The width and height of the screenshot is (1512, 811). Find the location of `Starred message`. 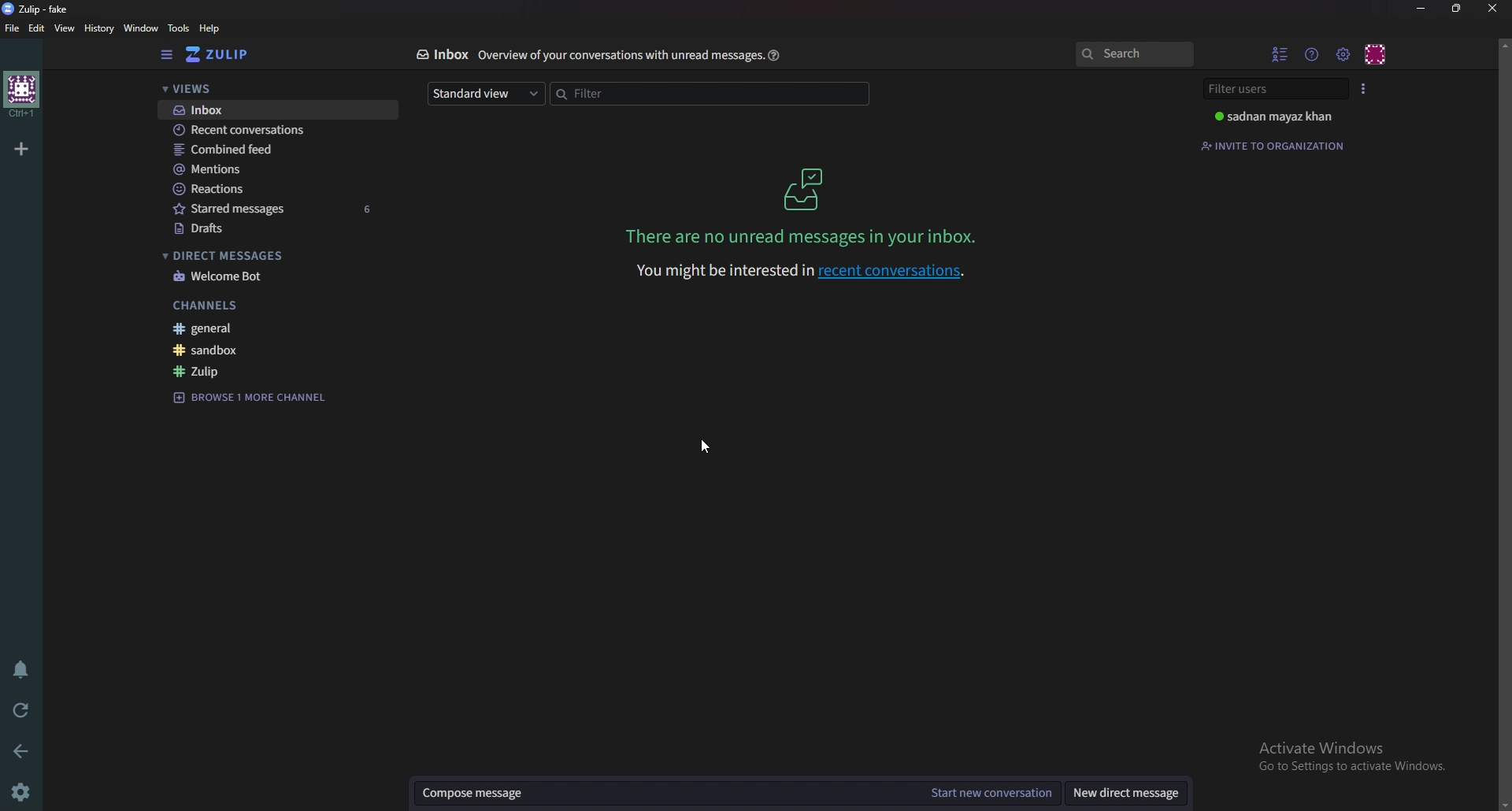

Starred message is located at coordinates (277, 210).